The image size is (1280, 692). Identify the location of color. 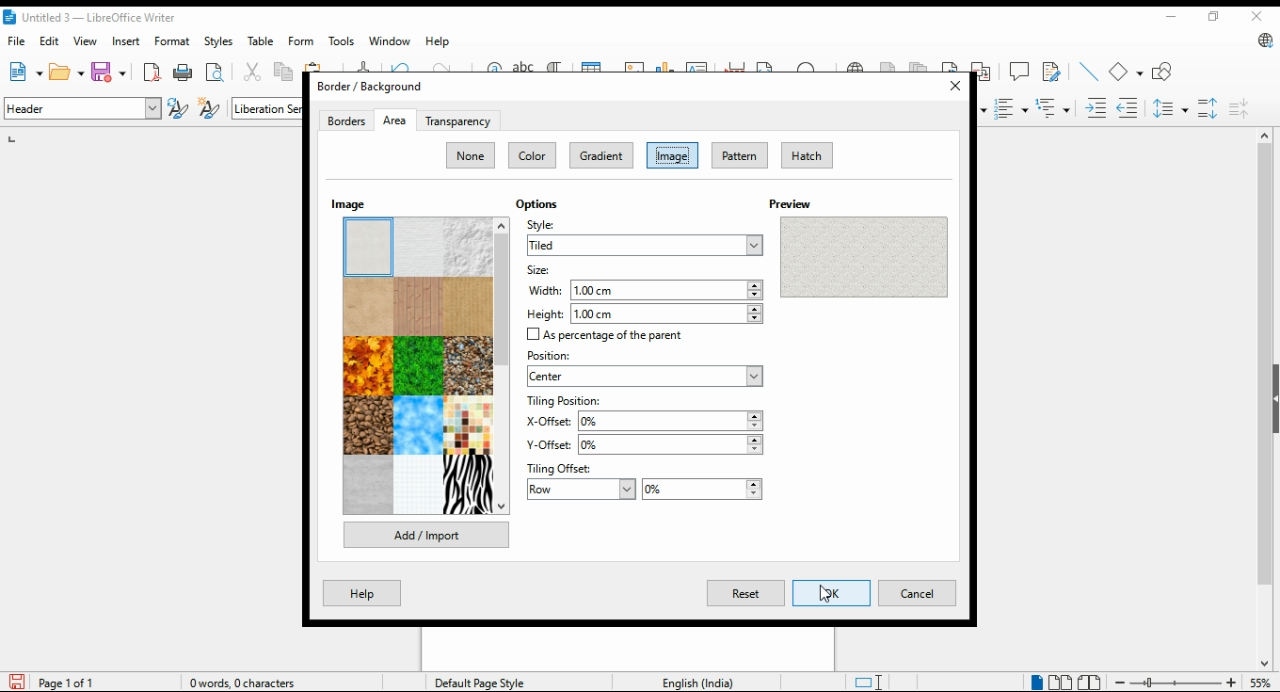
(530, 156).